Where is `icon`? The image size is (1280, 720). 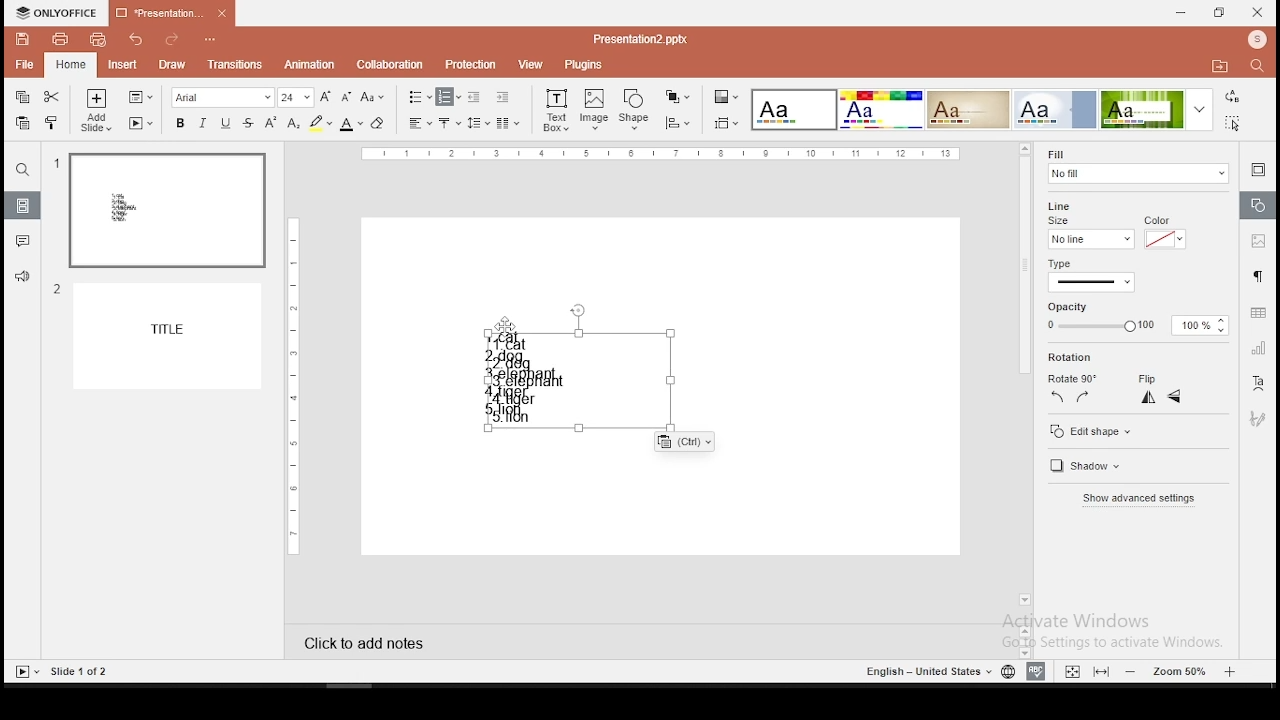 icon is located at coordinates (57, 14).